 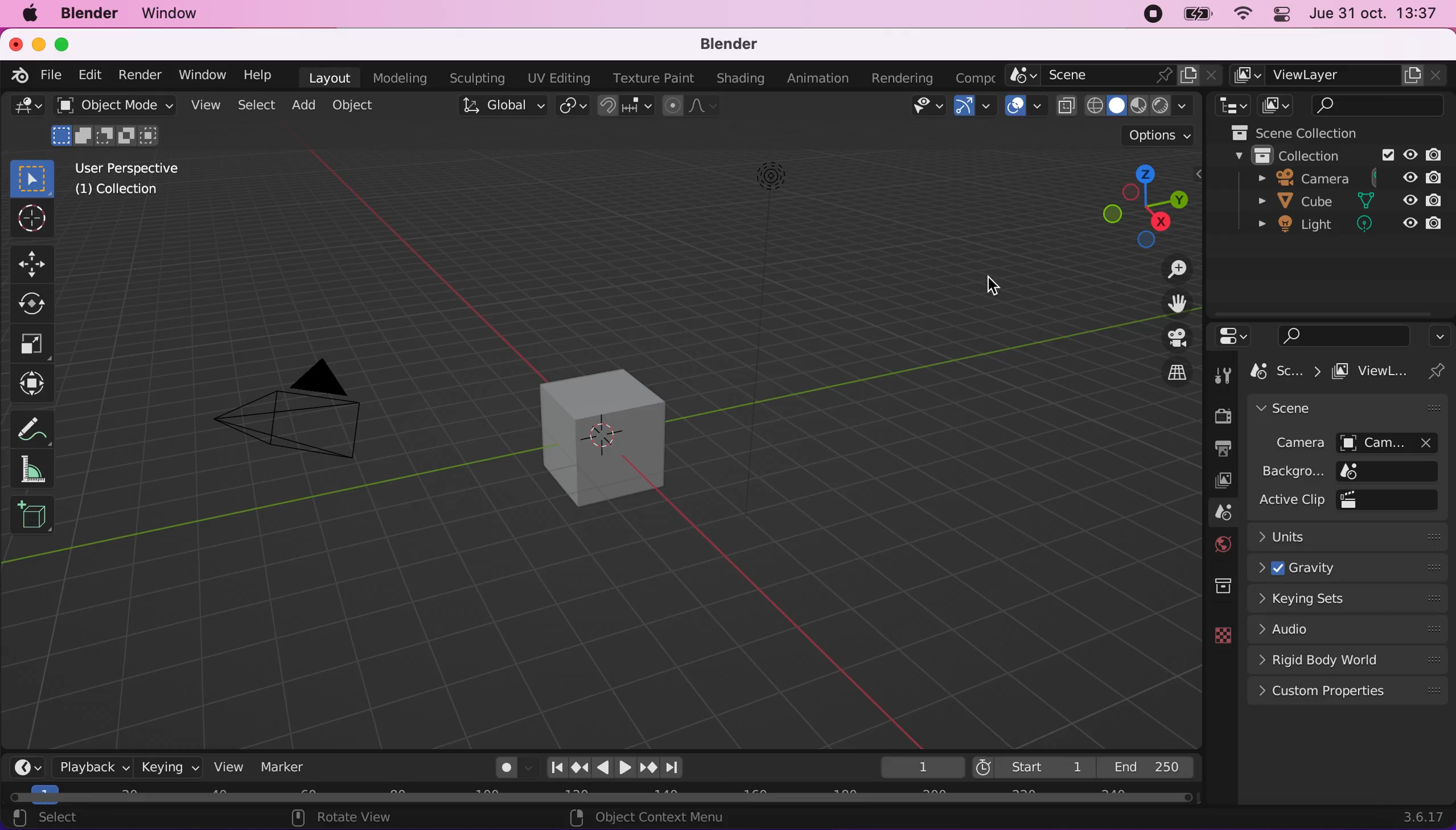 What do you see at coordinates (1145, 136) in the screenshot?
I see `options` at bounding box center [1145, 136].